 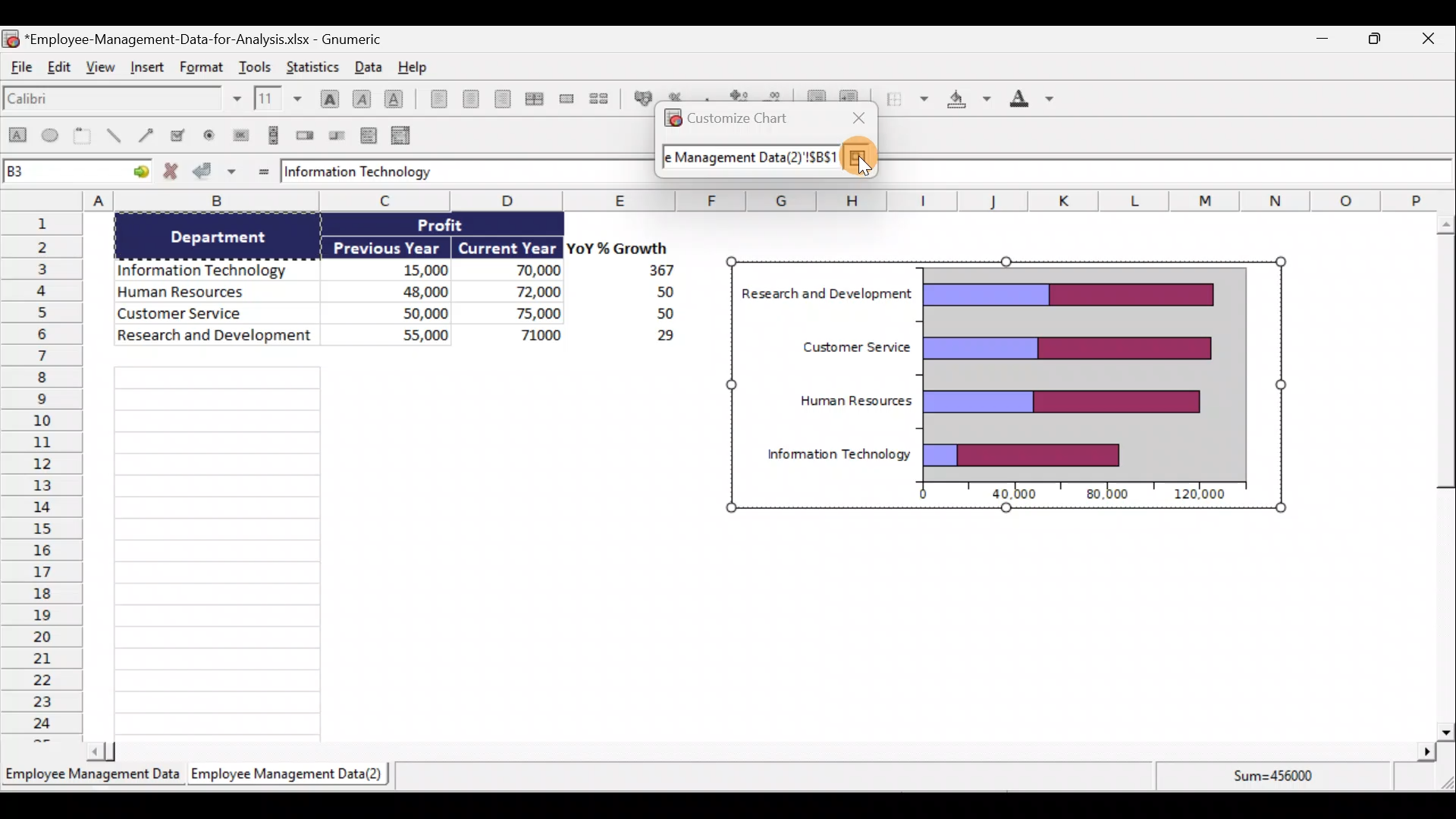 What do you see at coordinates (370, 132) in the screenshot?
I see `Create a list` at bounding box center [370, 132].